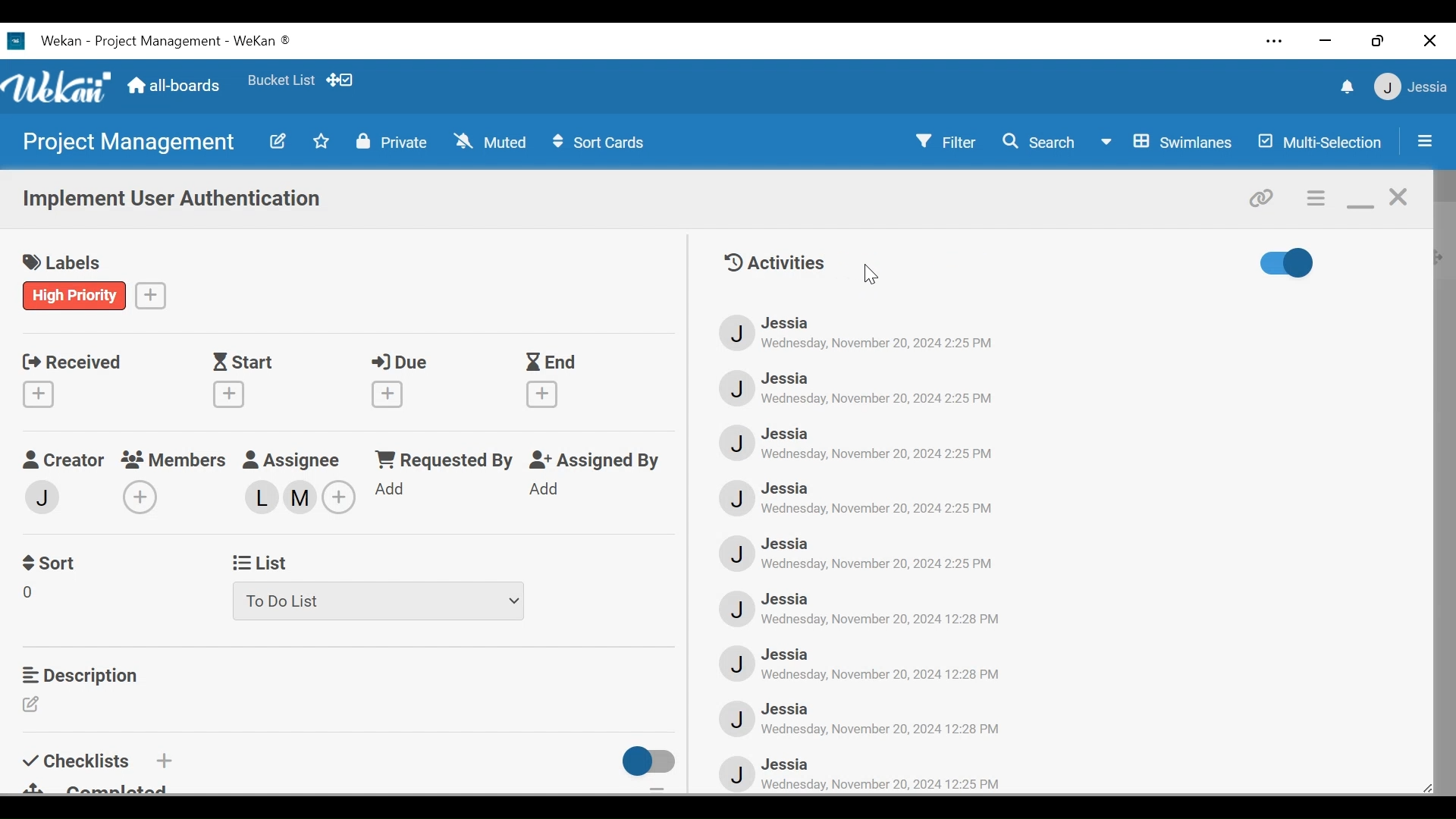  Describe the element at coordinates (736, 717) in the screenshot. I see `Avatar` at that location.